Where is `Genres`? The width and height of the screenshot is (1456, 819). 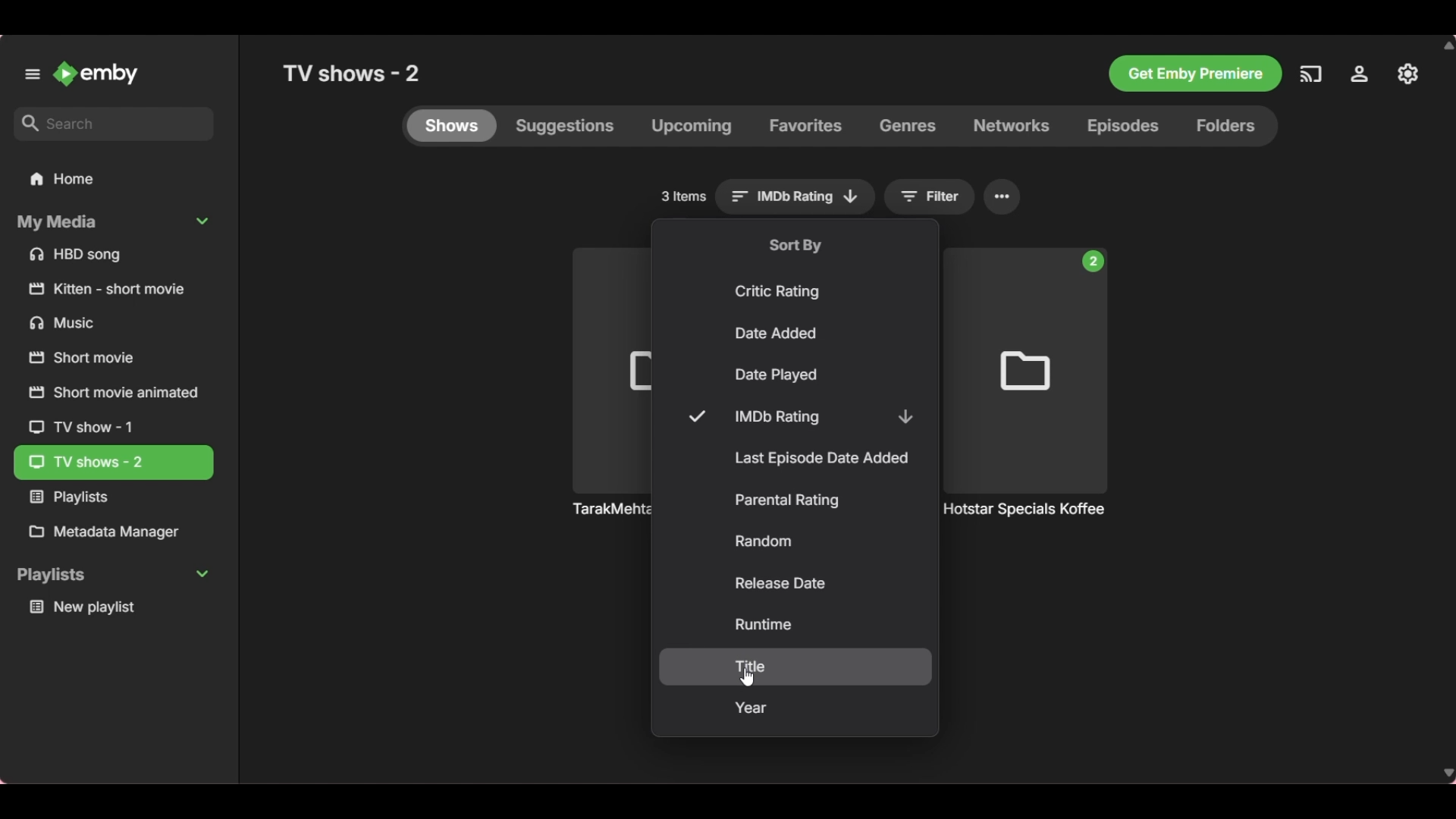
Genres is located at coordinates (908, 127).